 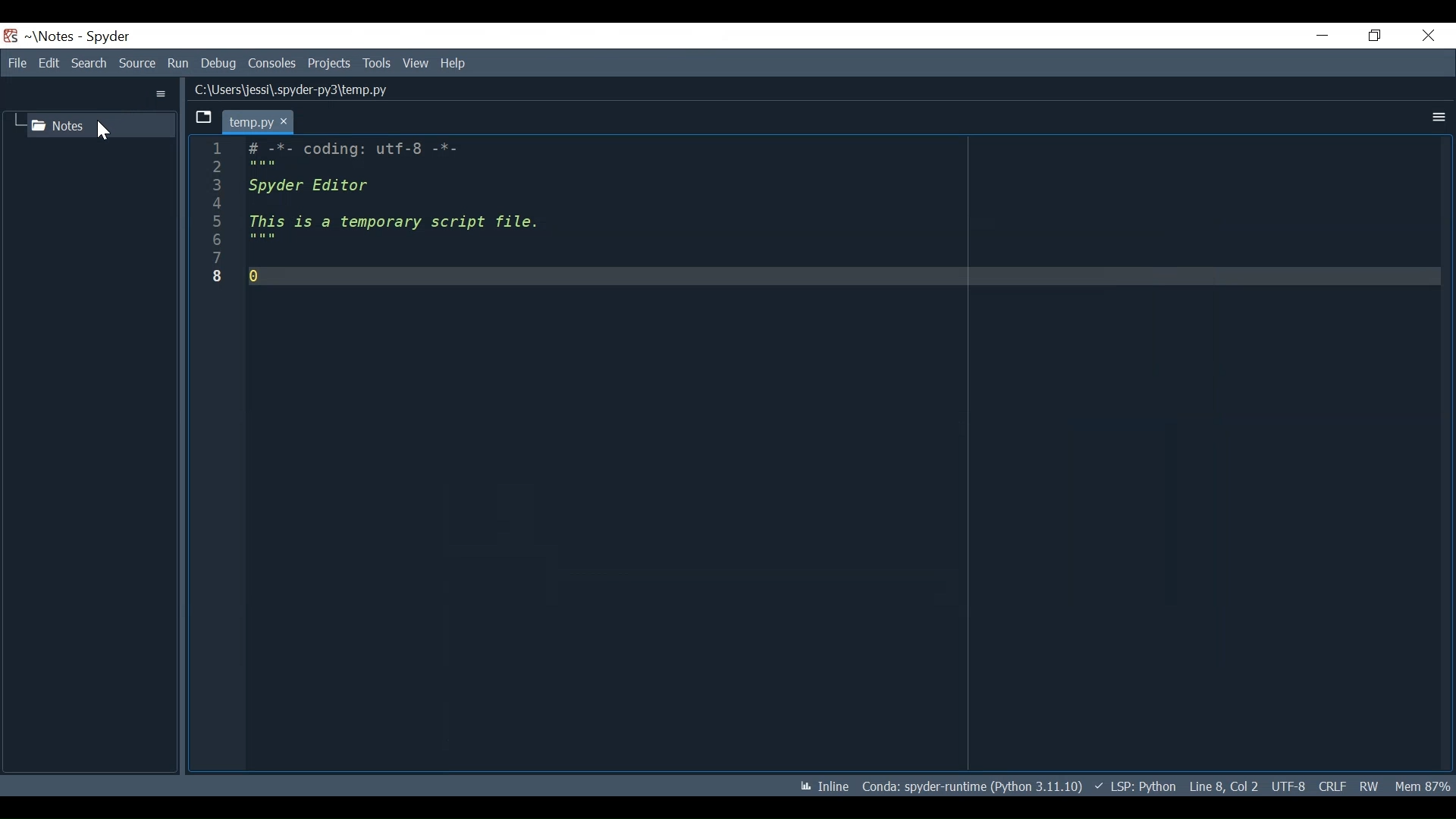 What do you see at coordinates (201, 119) in the screenshot?
I see `Browse Tab` at bounding box center [201, 119].